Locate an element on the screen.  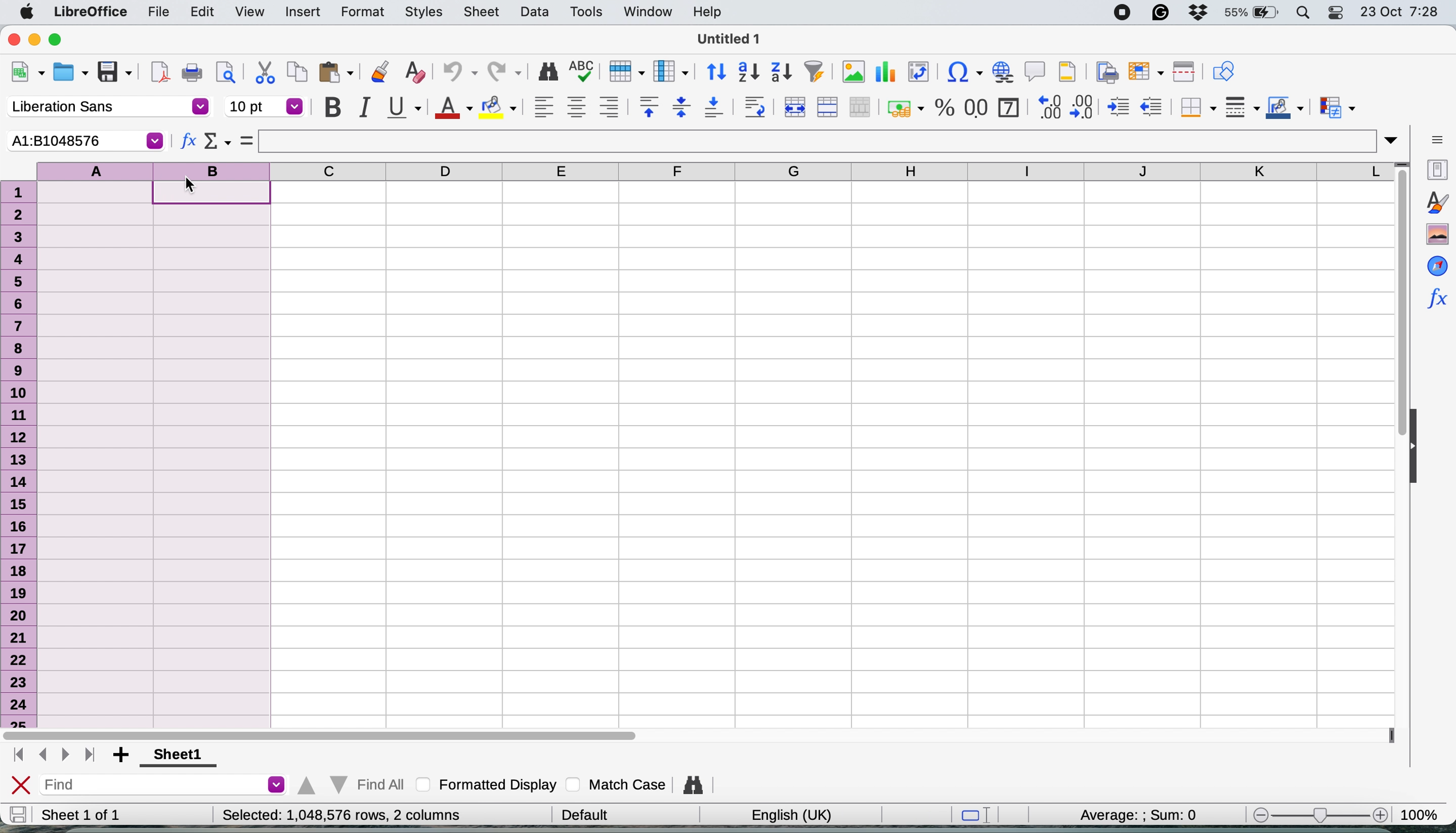
select columns is located at coordinates (156, 442).